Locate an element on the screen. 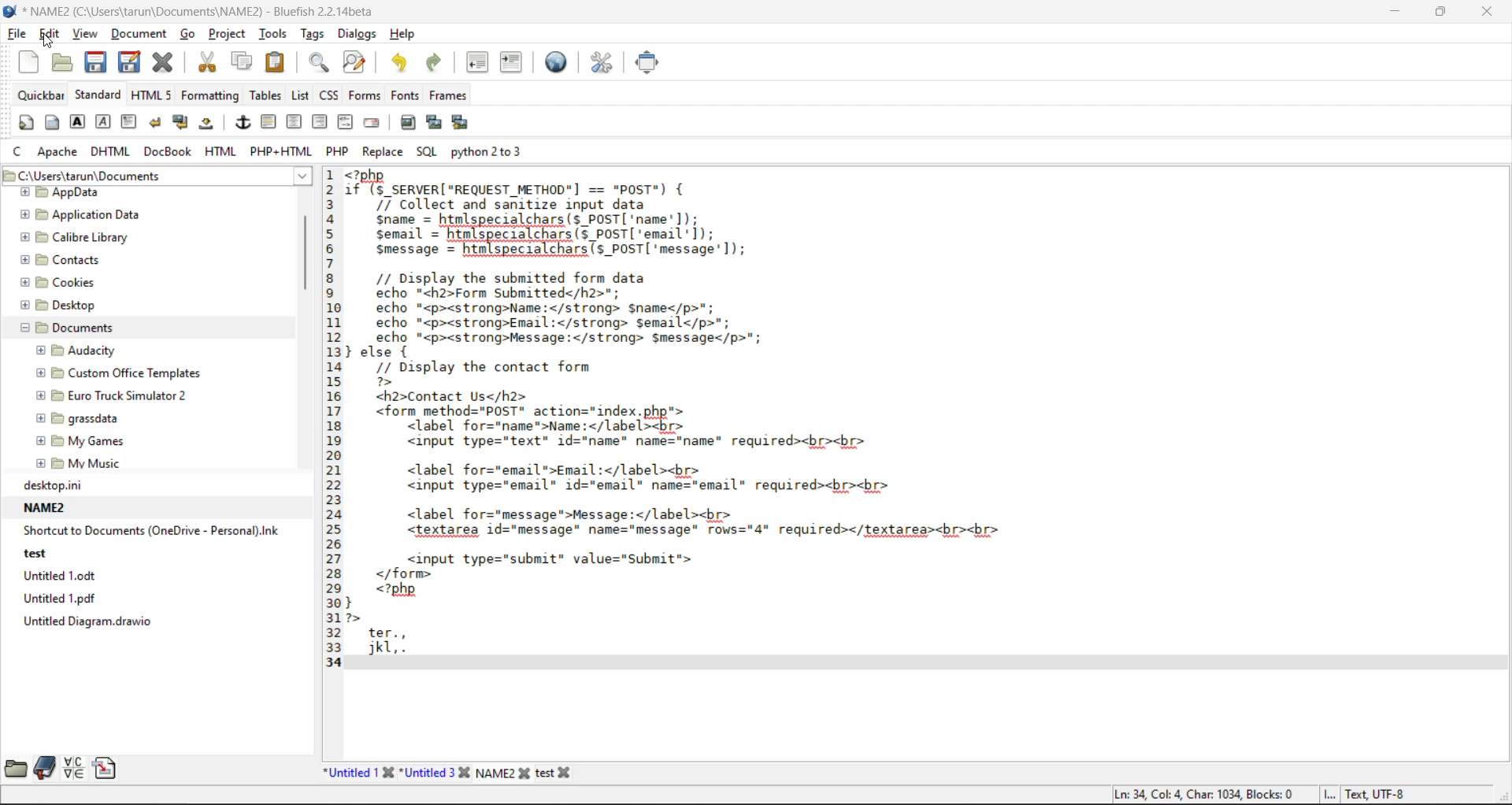 This screenshot has height=805, width=1512. Untitled Diagram. drawio is located at coordinates (82, 621).